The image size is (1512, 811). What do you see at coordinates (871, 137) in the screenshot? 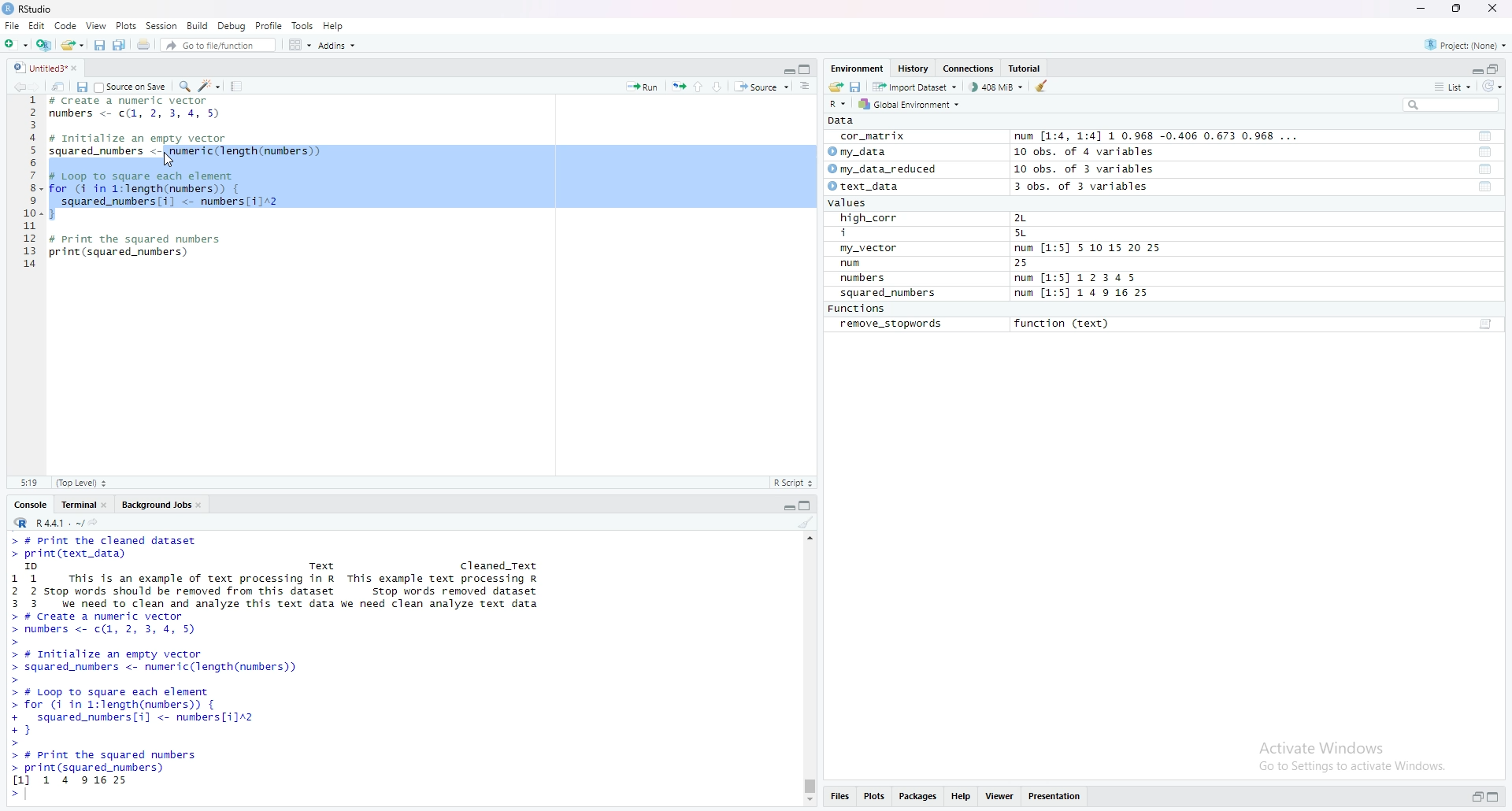
I see `cor_matrix` at bounding box center [871, 137].